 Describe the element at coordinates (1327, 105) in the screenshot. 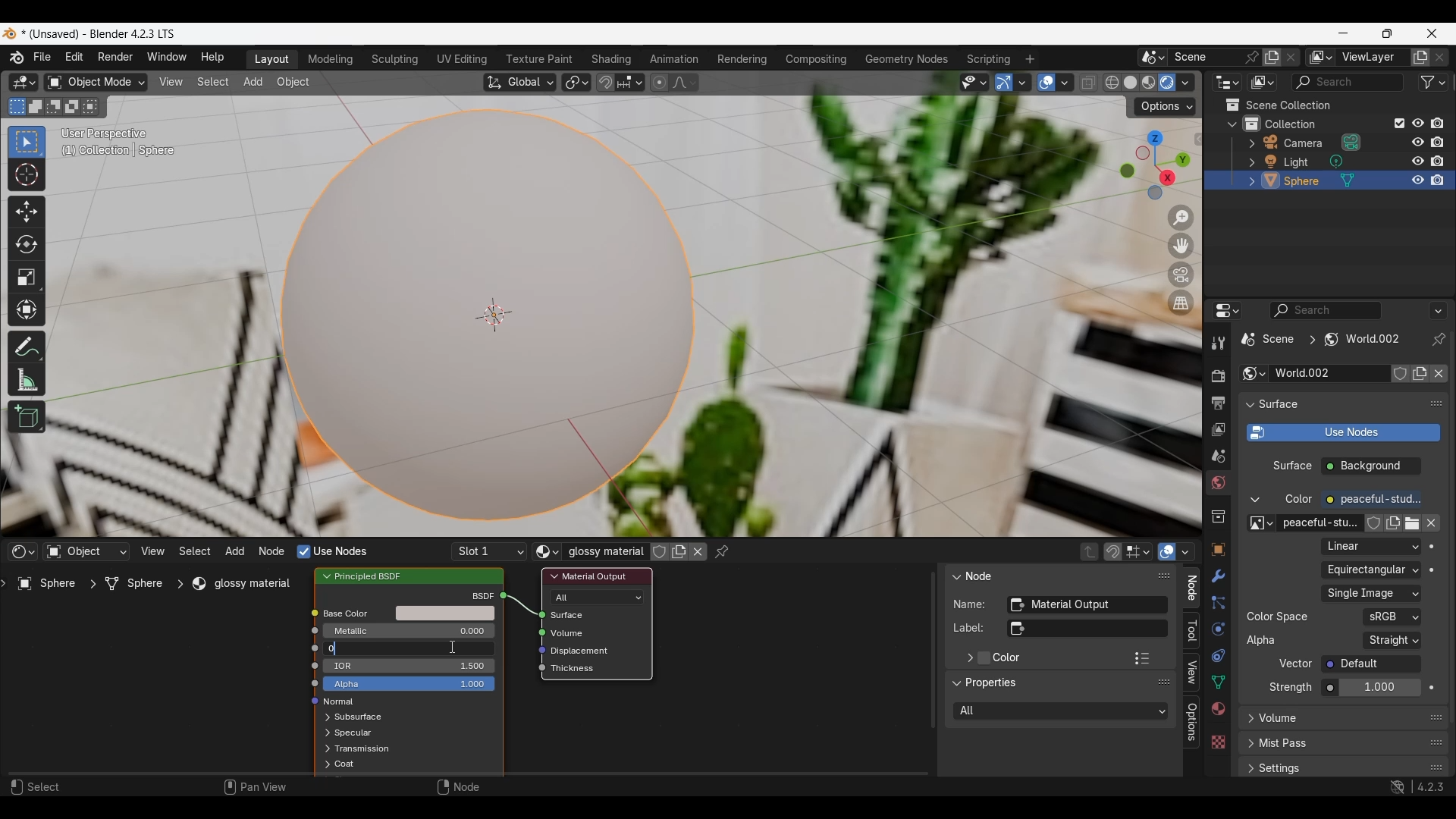

I see `Scene collection` at that location.